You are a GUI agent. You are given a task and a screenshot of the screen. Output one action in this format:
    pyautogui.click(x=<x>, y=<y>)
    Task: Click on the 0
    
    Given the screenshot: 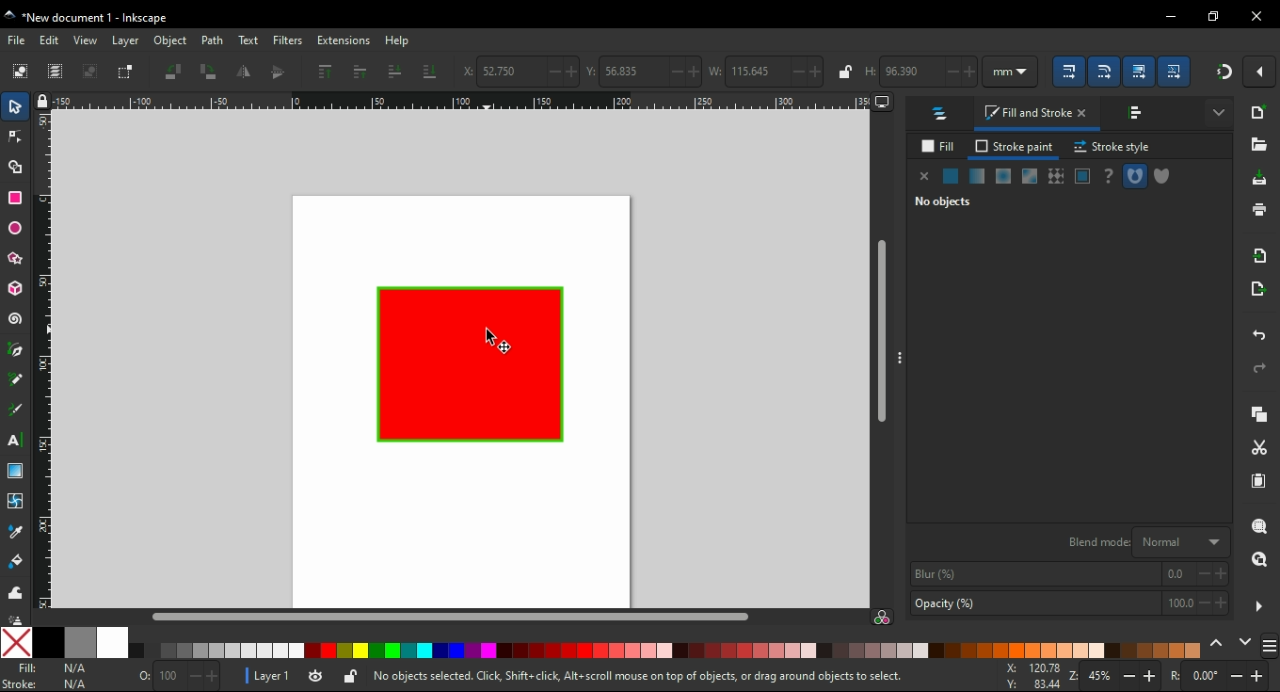 What is the action you would take?
    pyautogui.click(x=1178, y=575)
    